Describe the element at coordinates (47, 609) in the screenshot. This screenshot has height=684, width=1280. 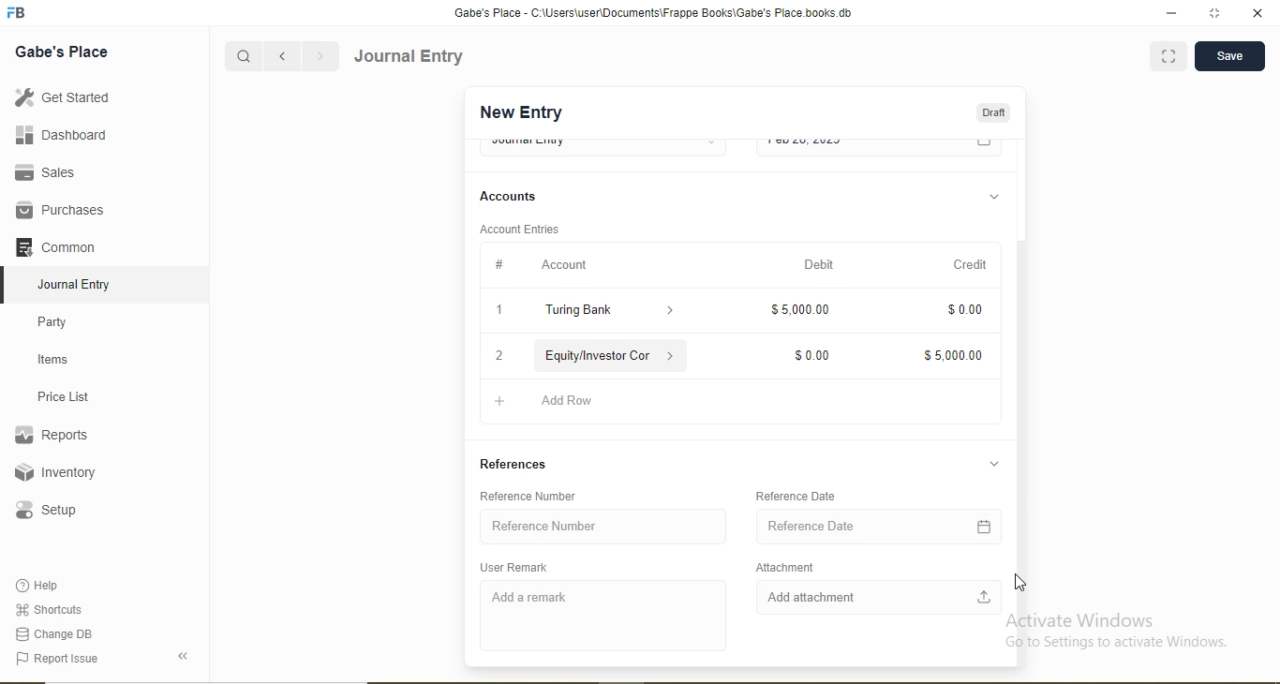
I see `Shortcuts` at that location.